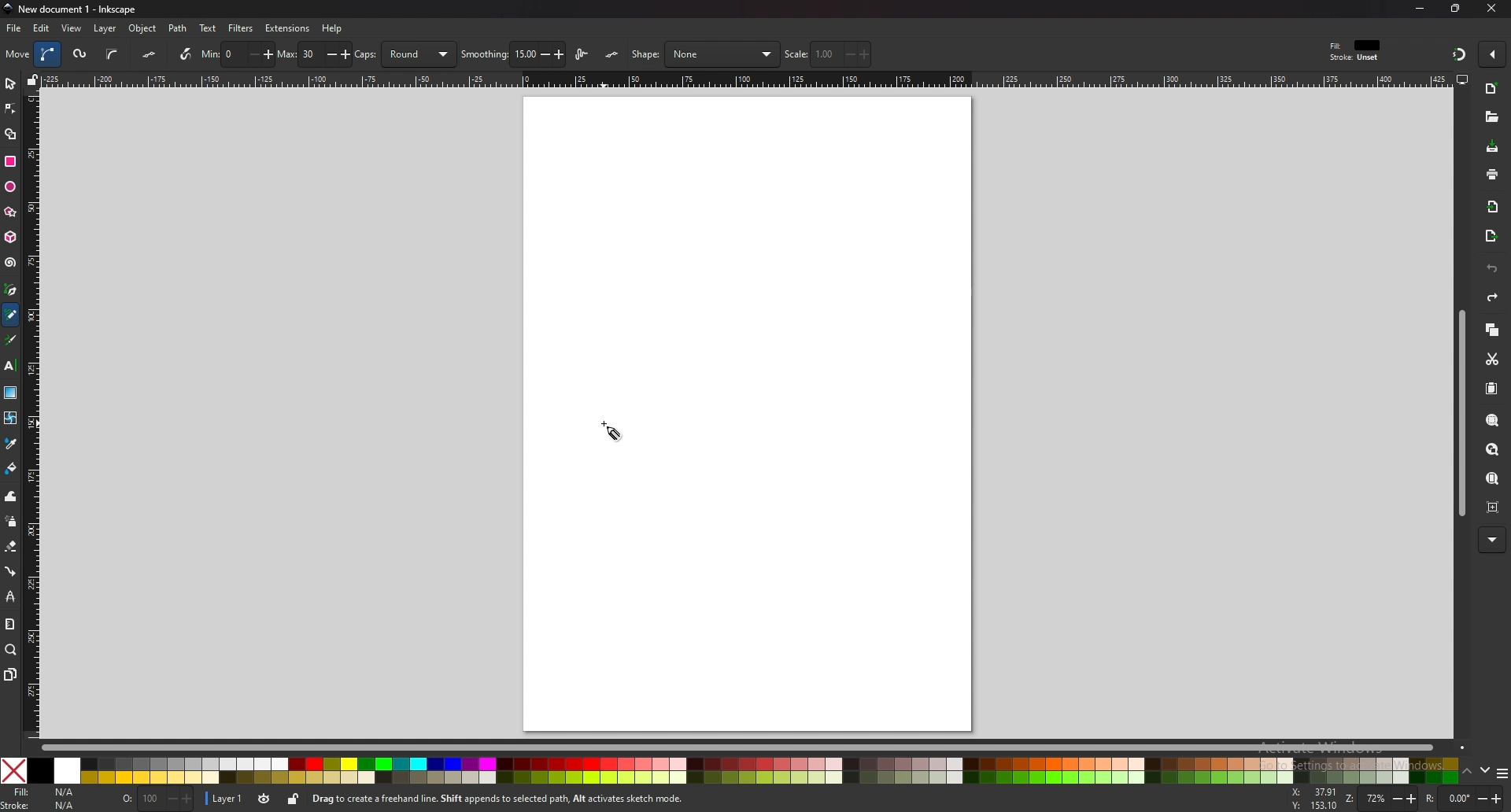  I want to click on path, so click(179, 28).